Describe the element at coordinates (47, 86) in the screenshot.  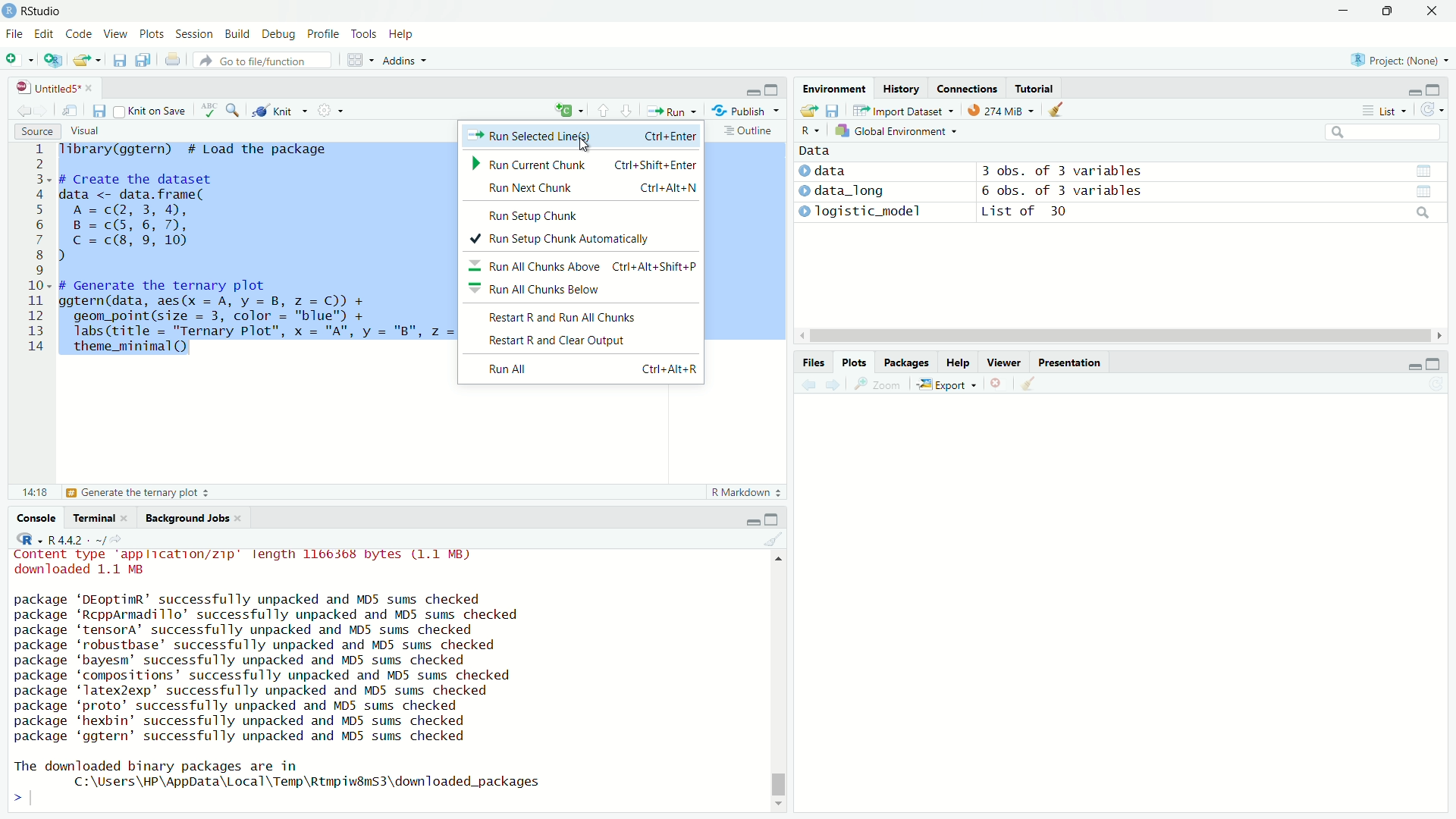
I see `) | UntitledS*` at that location.